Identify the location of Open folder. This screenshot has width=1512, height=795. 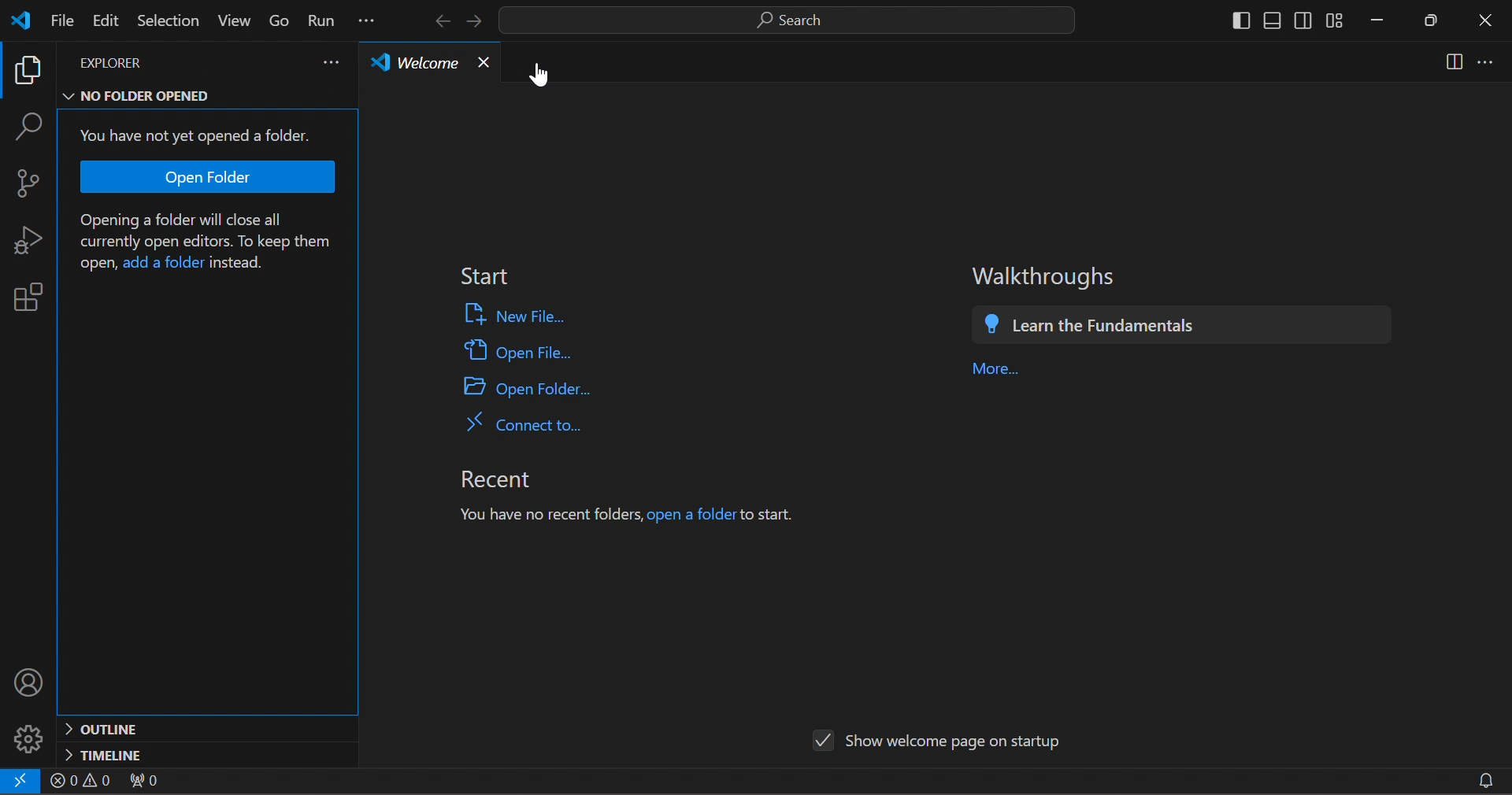
(210, 177).